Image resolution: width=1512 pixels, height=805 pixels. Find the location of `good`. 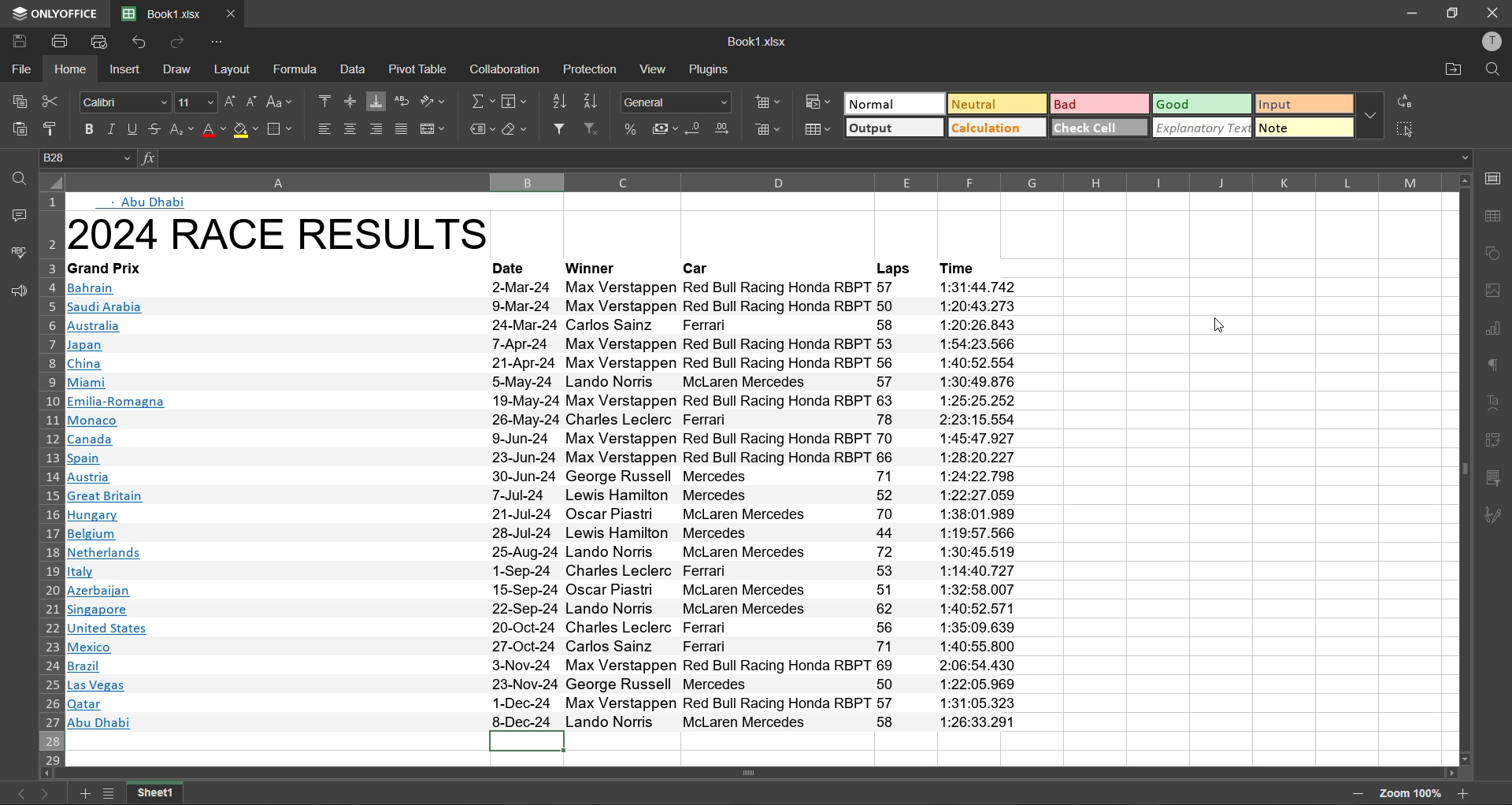

good is located at coordinates (1203, 104).